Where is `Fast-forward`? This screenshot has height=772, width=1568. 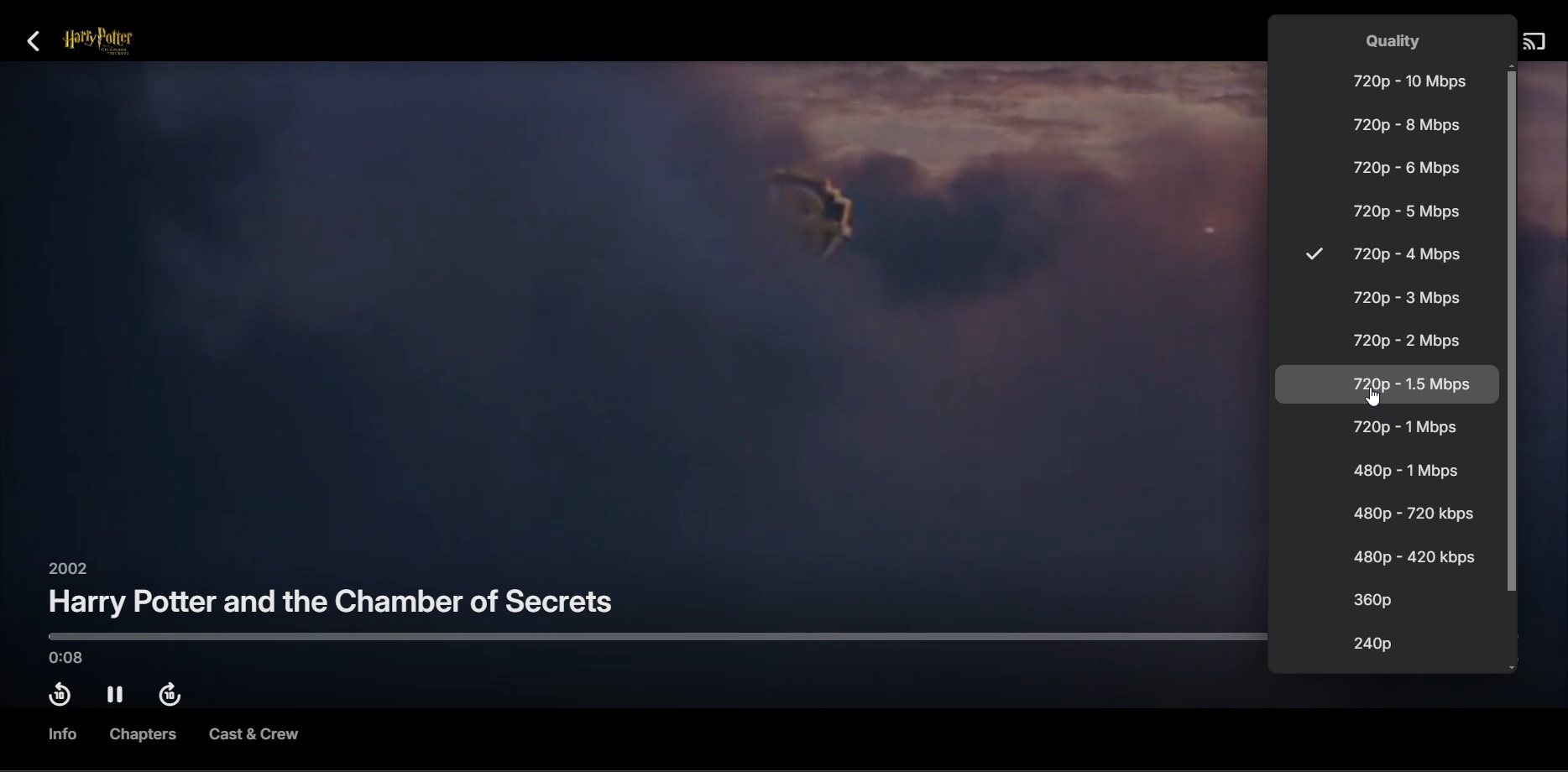 Fast-forward is located at coordinates (175, 696).